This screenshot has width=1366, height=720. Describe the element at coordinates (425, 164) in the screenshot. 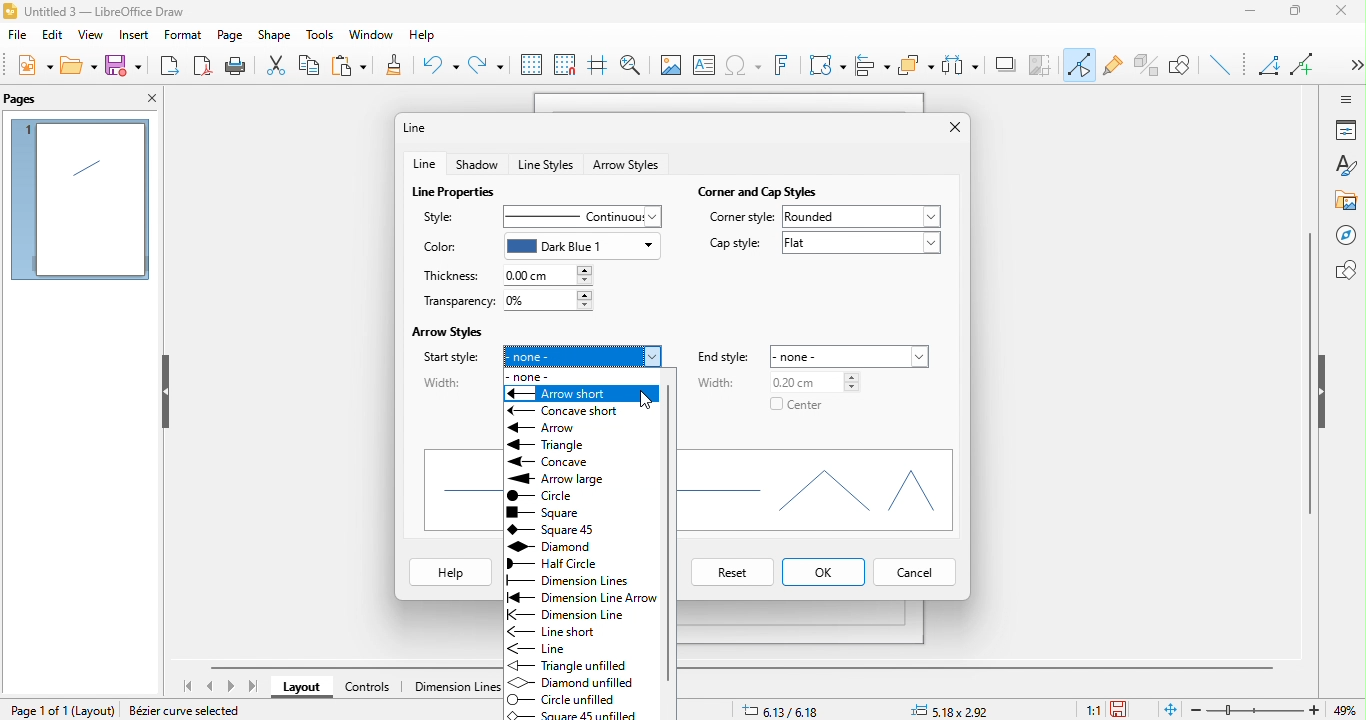

I see `line` at that location.